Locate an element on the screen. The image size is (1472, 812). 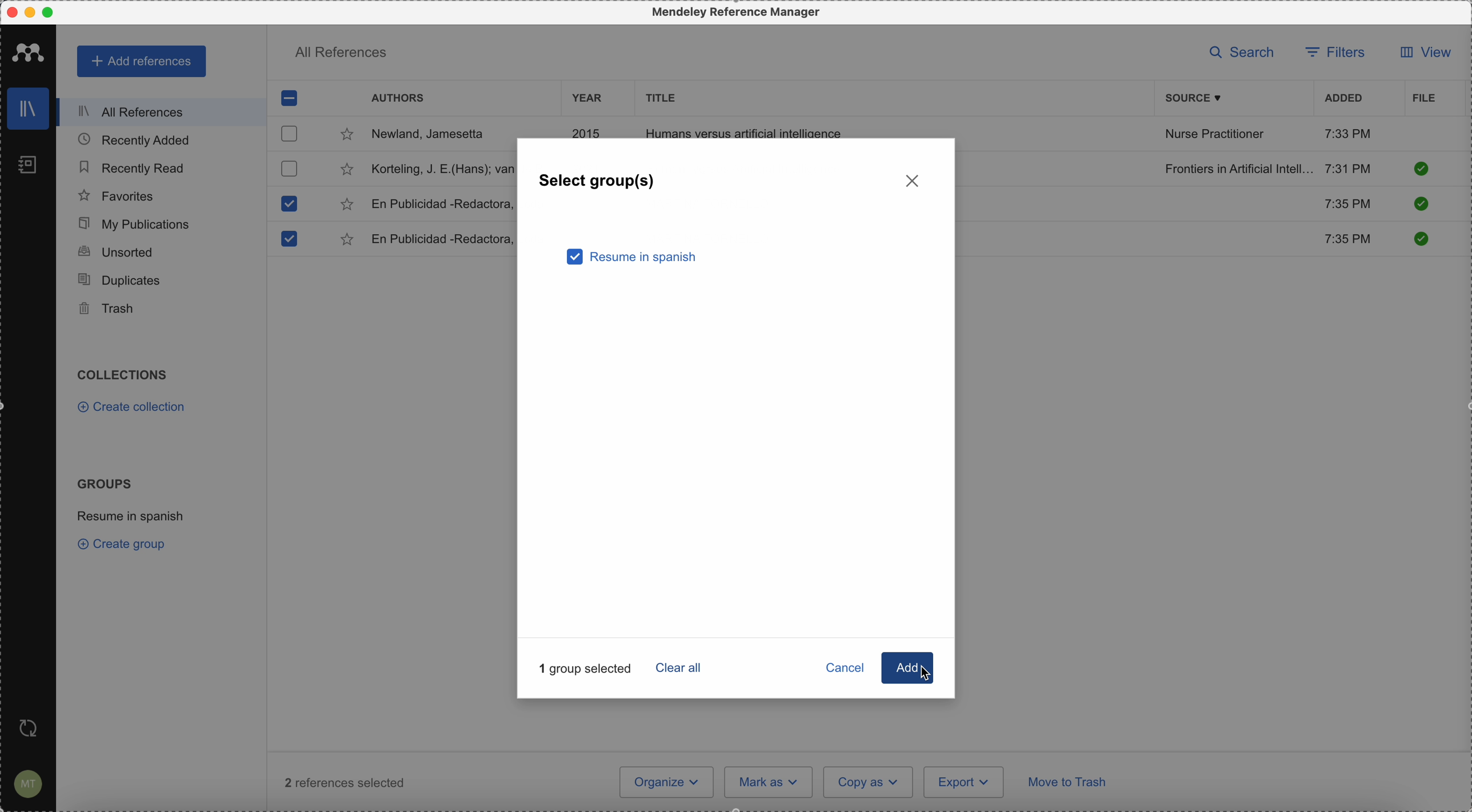
recently read is located at coordinates (131, 166).